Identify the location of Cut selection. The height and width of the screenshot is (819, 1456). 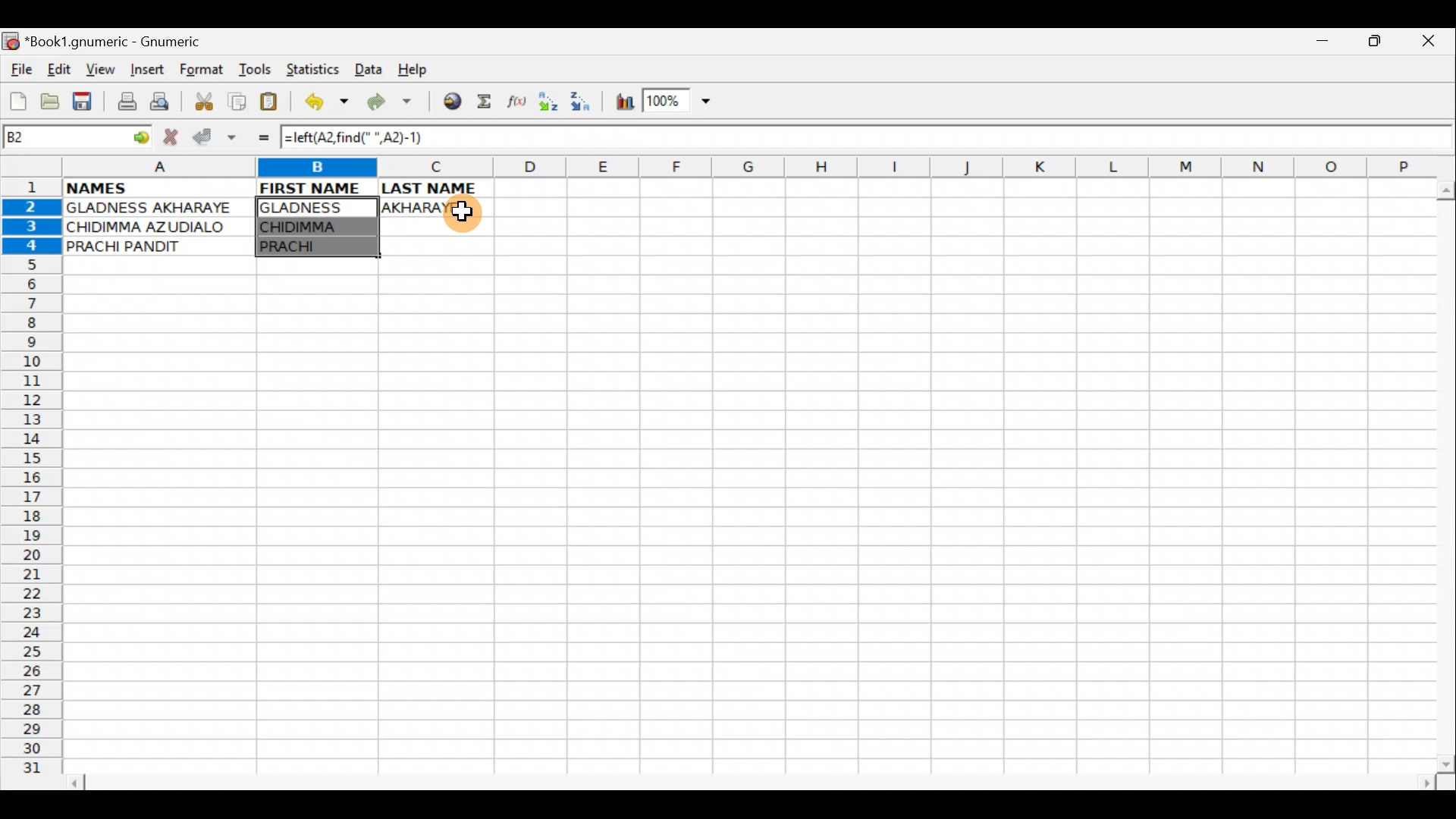
(203, 99).